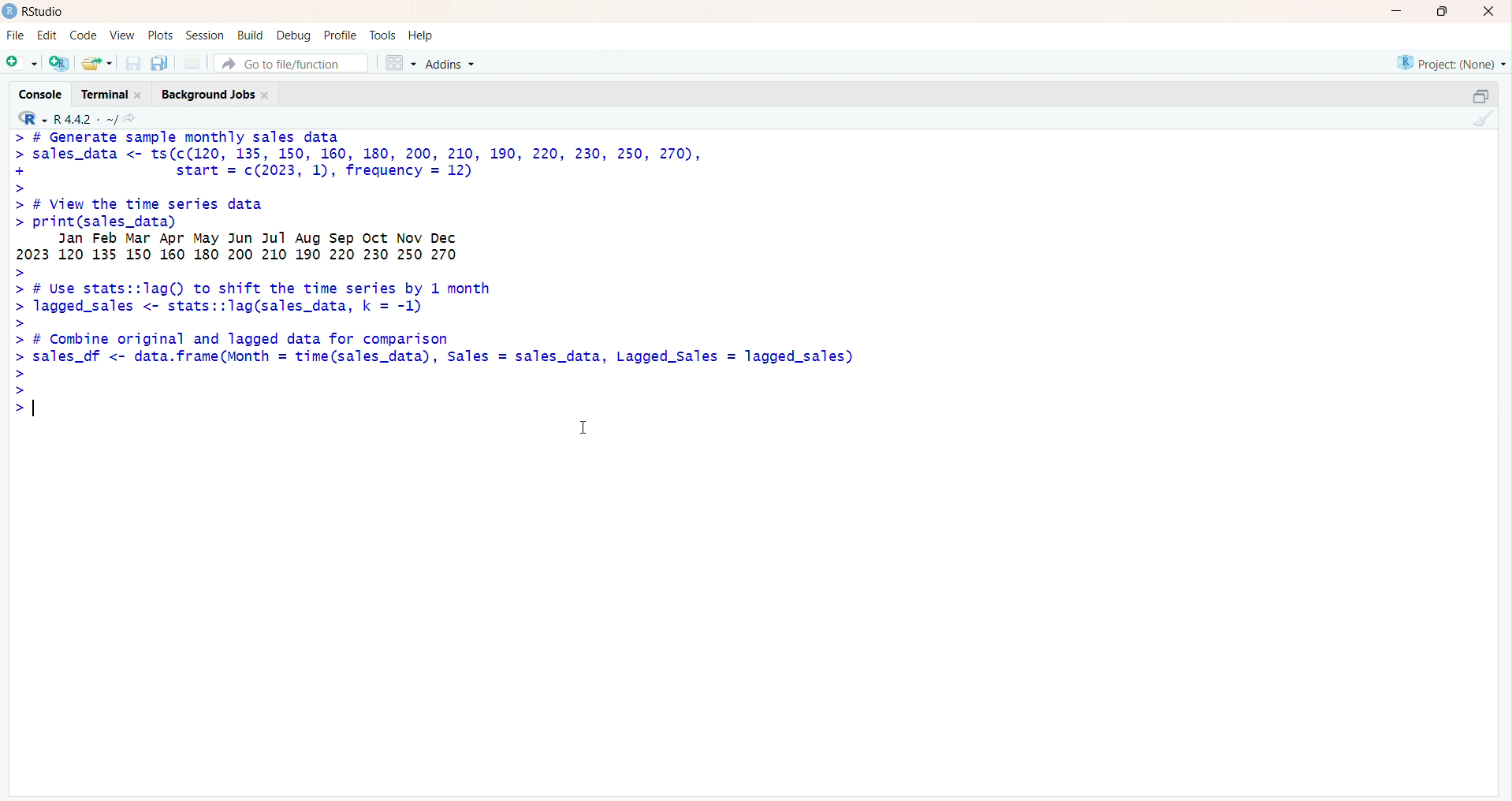  I want to click on R 4.4.2, so click(68, 119).